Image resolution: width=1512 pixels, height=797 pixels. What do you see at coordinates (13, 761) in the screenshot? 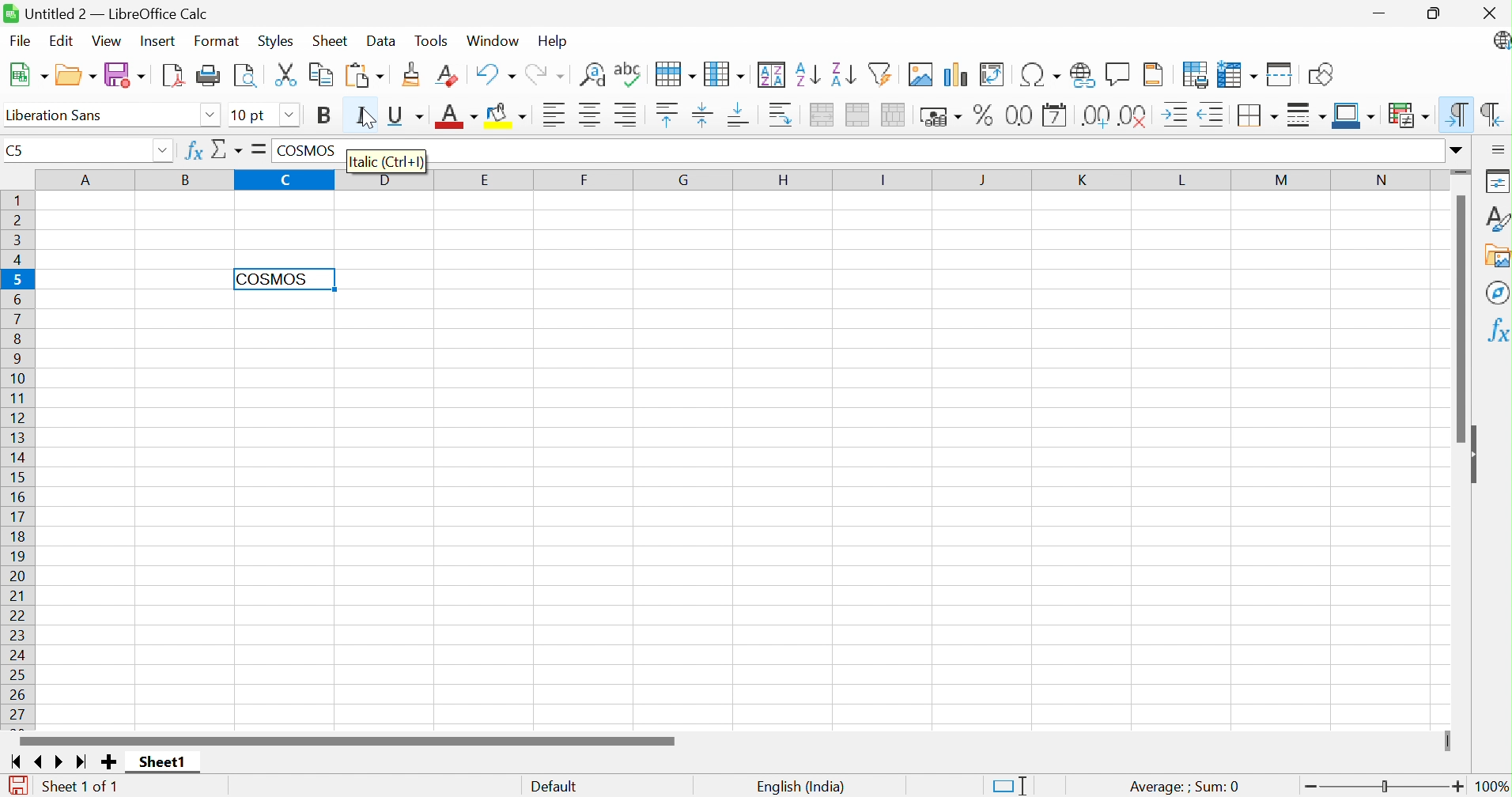
I see `Scroll to first sheet` at bounding box center [13, 761].